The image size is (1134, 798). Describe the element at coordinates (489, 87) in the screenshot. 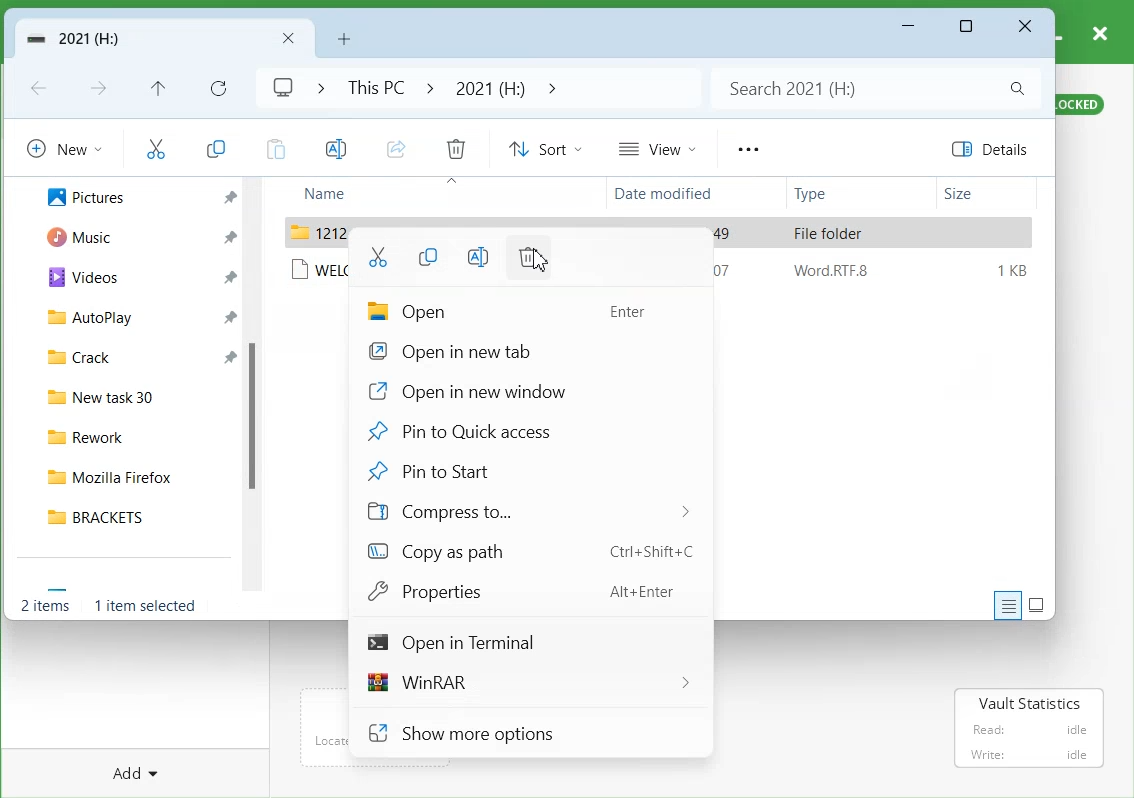

I see `2021 (H:)` at that location.